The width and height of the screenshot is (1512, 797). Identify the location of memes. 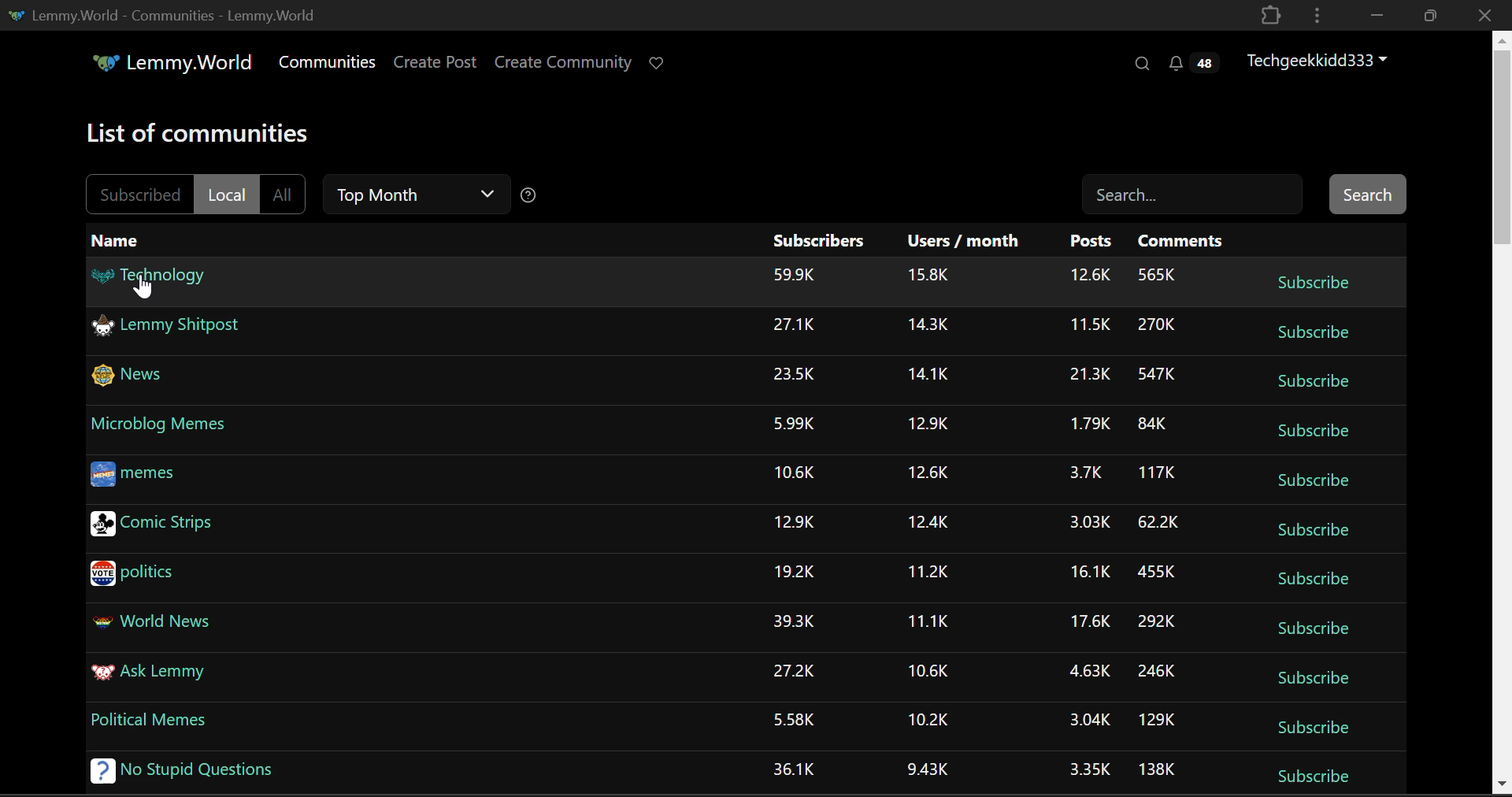
(133, 476).